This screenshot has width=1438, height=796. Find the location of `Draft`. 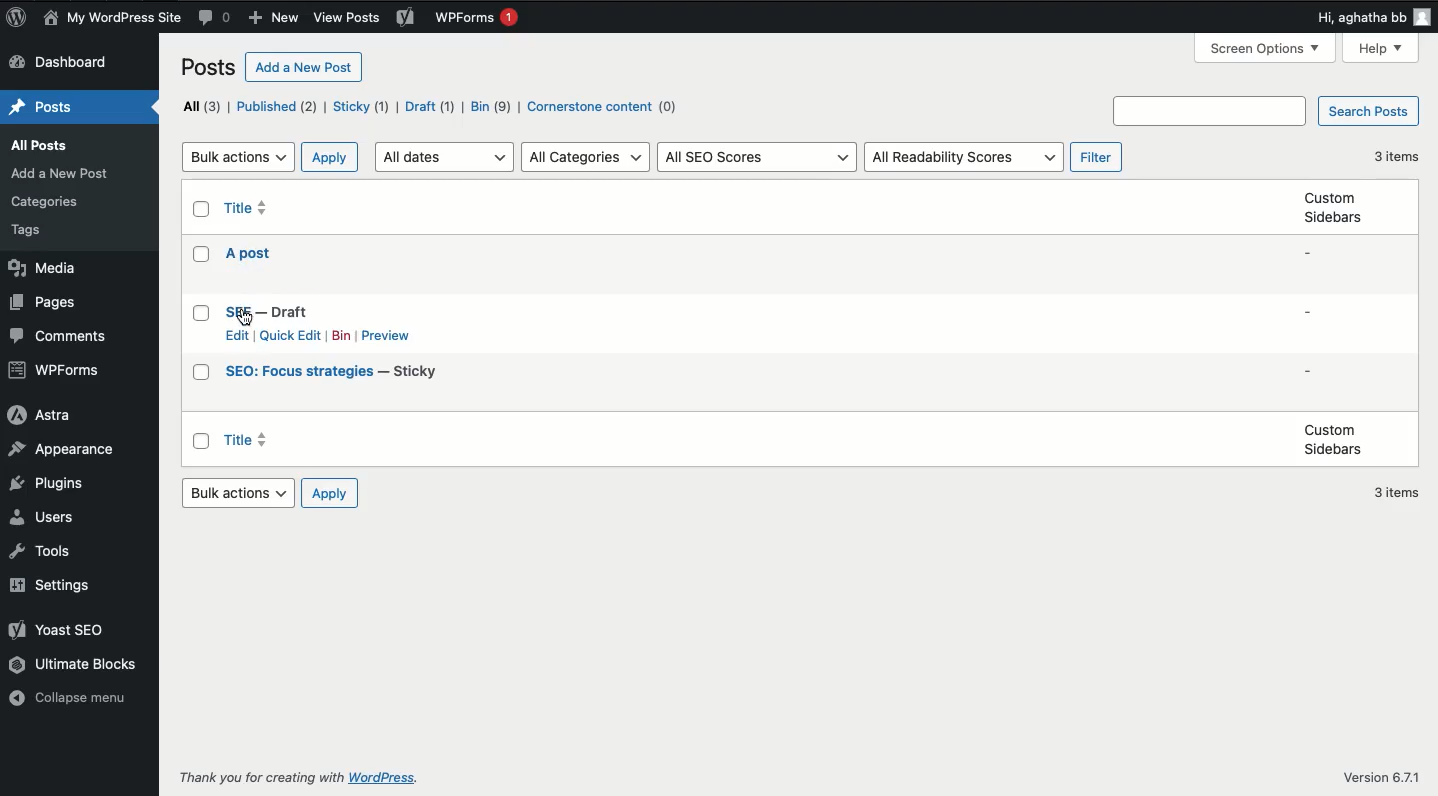

Draft is located at coordinates (429, 106).